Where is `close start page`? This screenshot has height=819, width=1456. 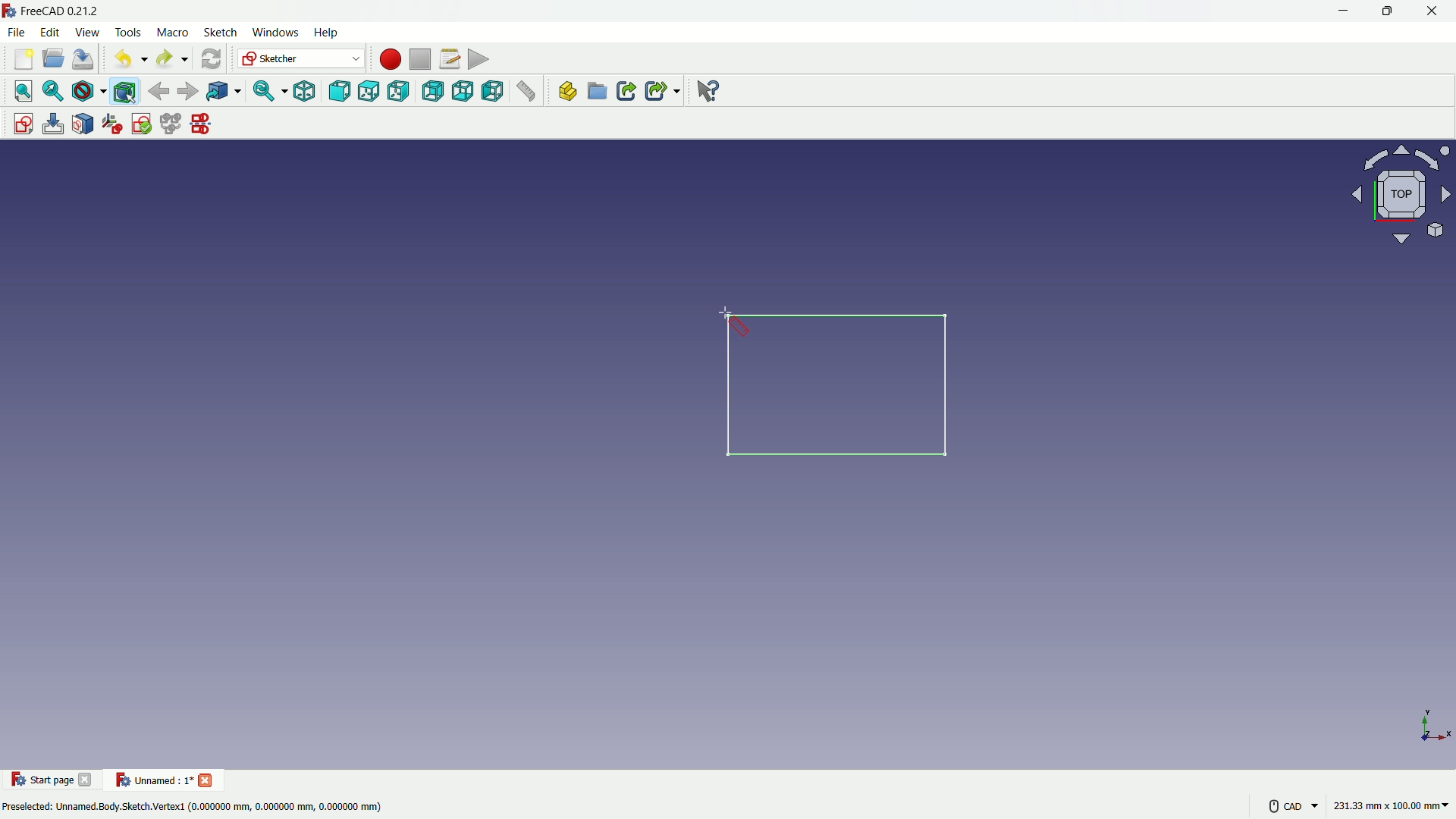
close start page is located at coordinates (87, 783).